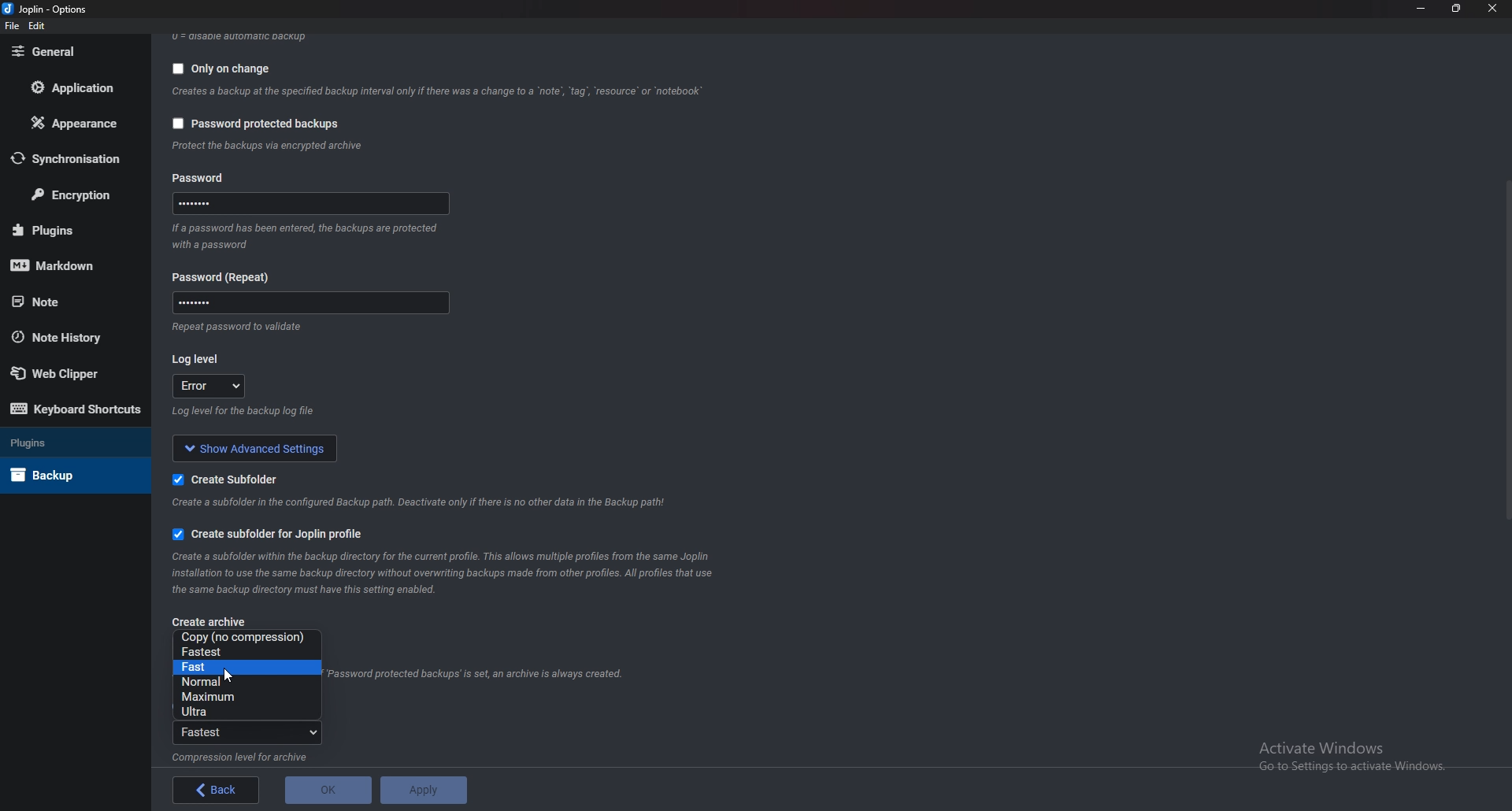  What do you see at coordinates (46, 9) in the screenshot?
I see `Joplin` at bounding box center [46, 9].